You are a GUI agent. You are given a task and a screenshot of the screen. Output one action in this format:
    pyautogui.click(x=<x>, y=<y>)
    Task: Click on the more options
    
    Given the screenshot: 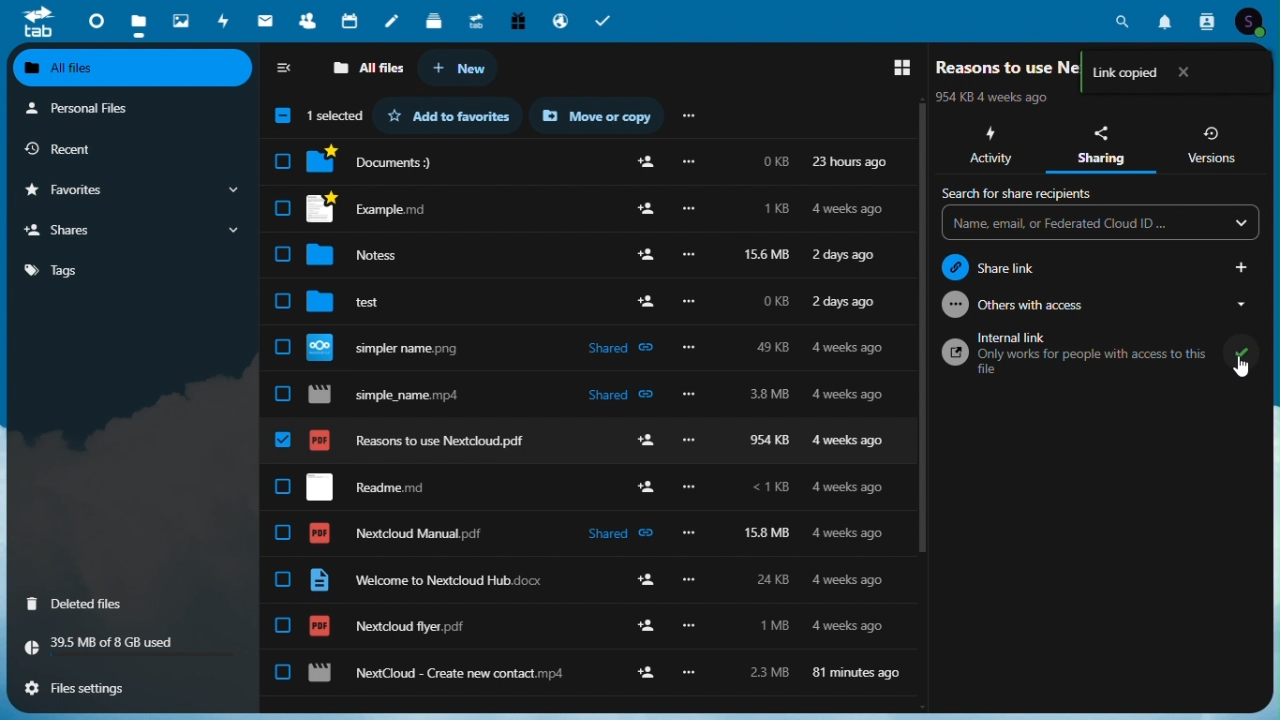 What is the action you would take?
    pyautogui.click(x=692, y=440)
    